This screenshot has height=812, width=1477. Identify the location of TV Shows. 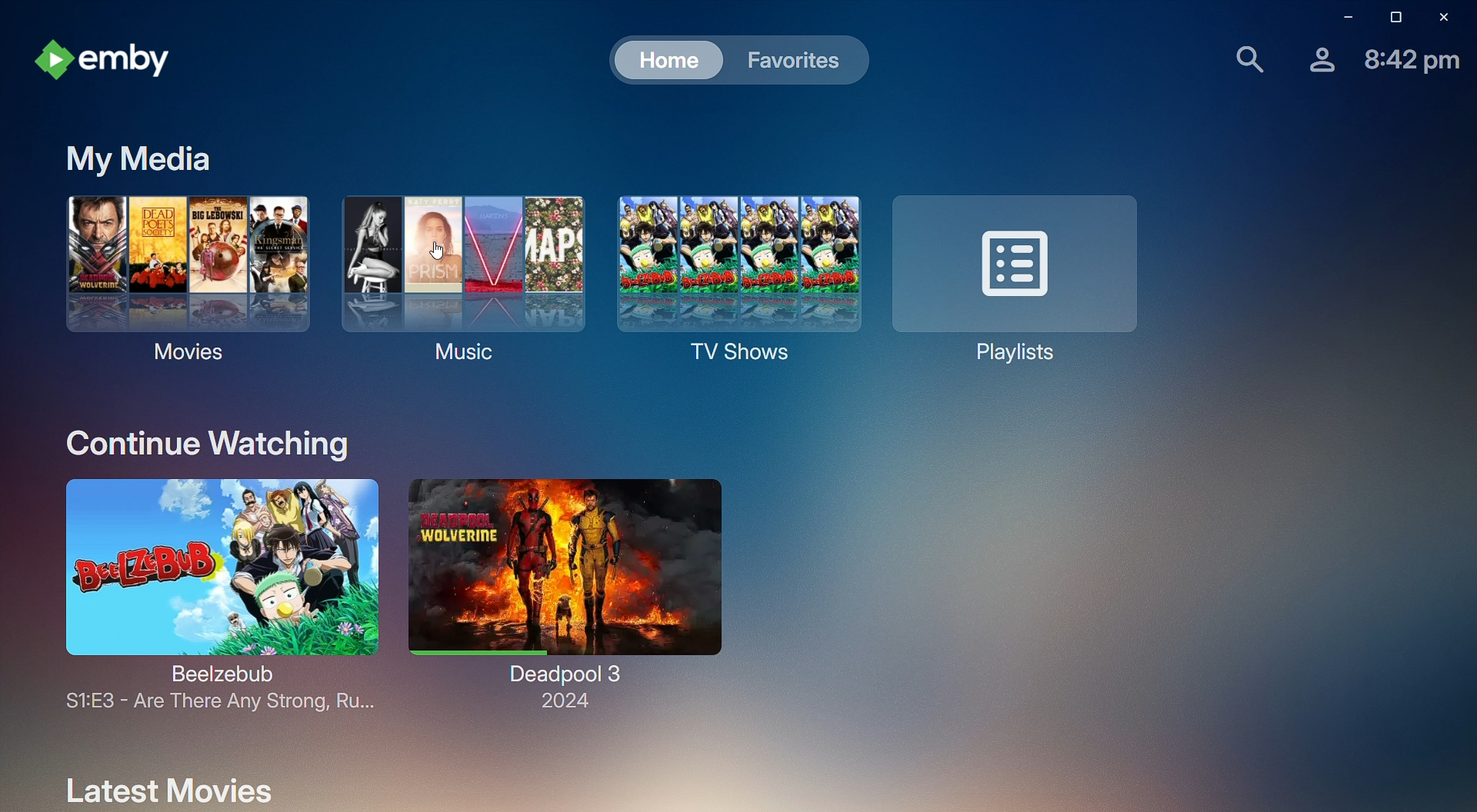
(732, 274).